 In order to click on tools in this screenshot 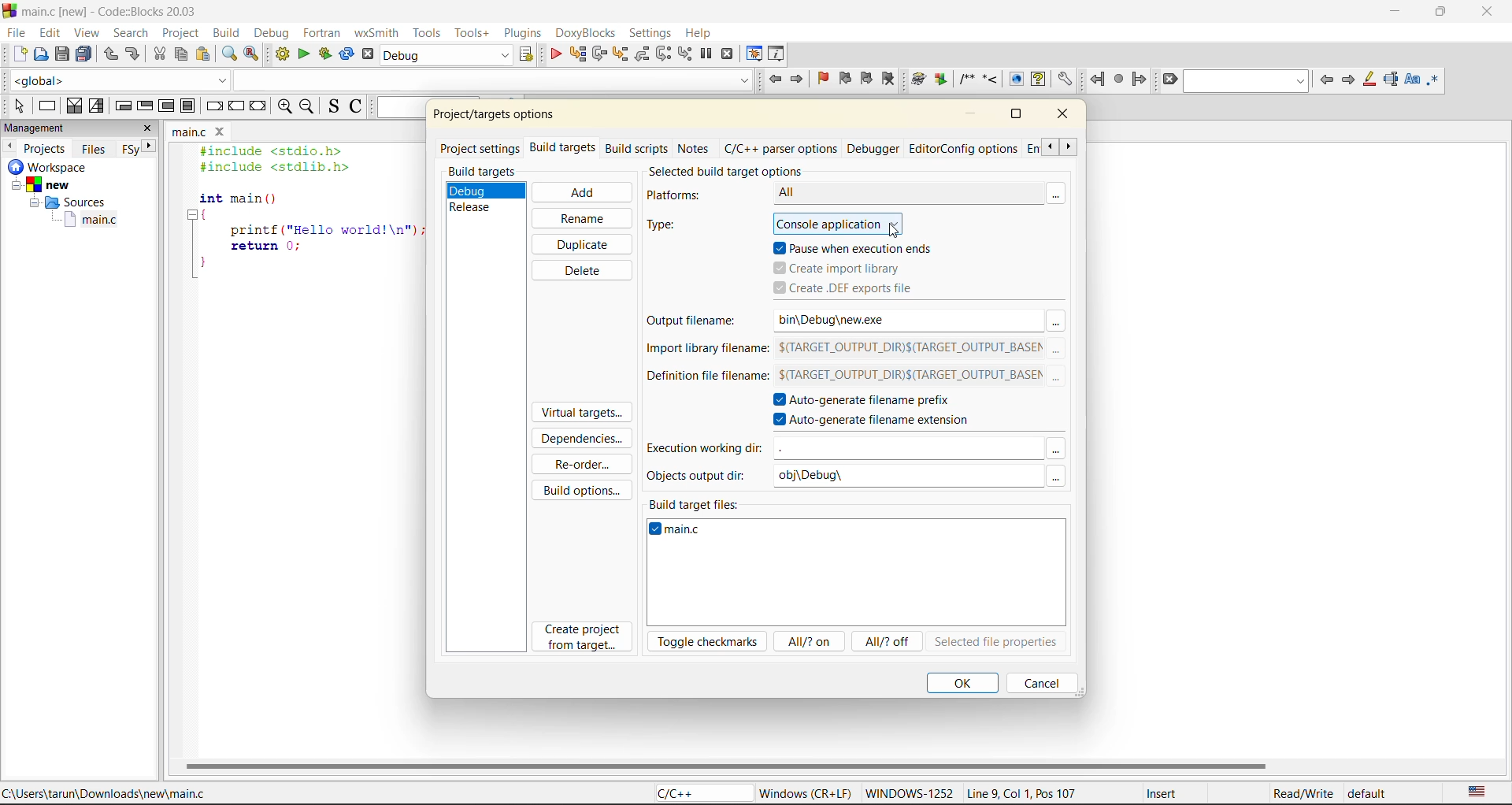, I will do `click(475, 32)`.